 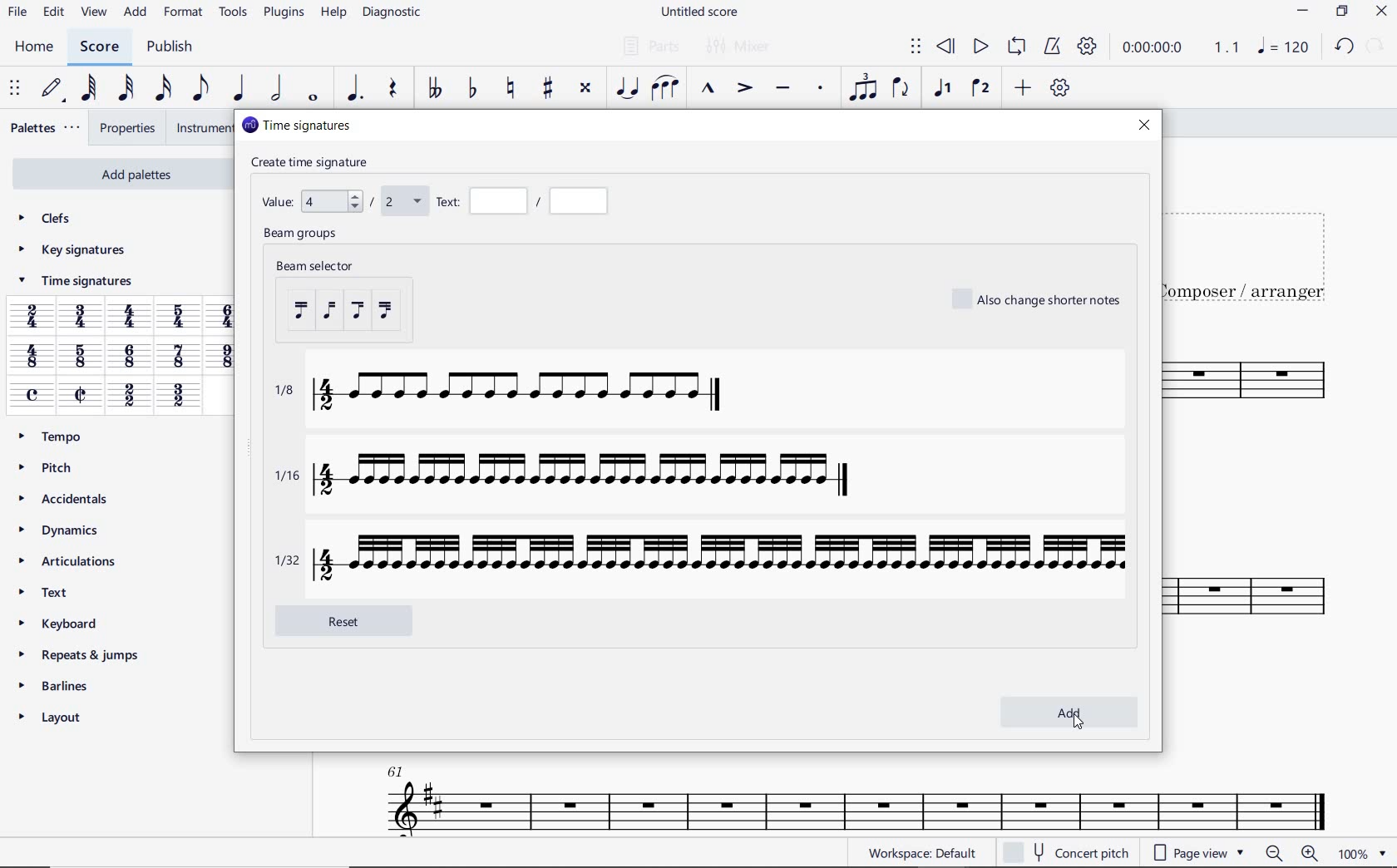 What do you see at coordinates (980, 45) in the screenshot?
I see `PLAY` at bounding box center [980, 45].